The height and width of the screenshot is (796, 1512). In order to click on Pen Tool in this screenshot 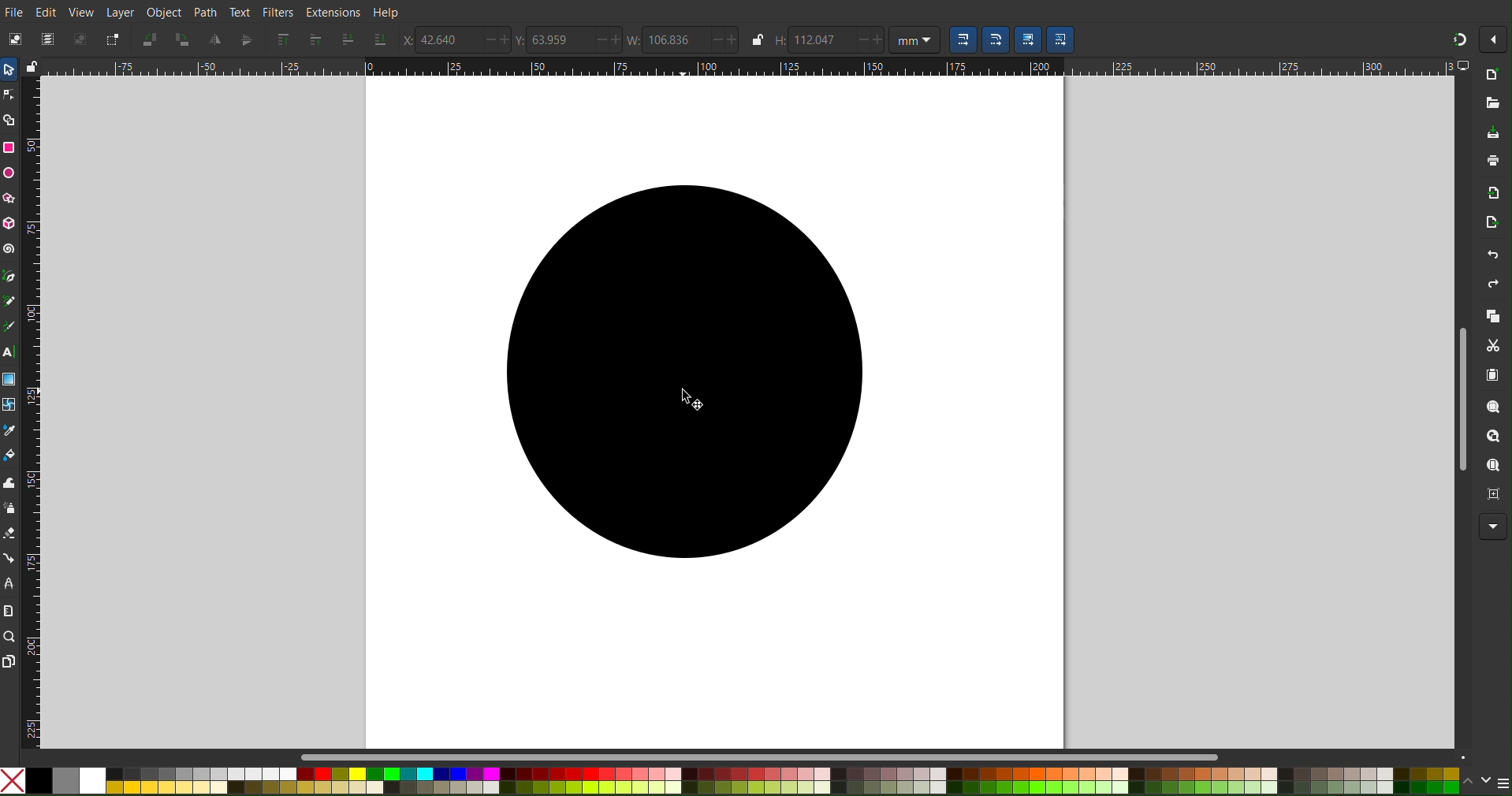, I will do `click(9, 276)`.